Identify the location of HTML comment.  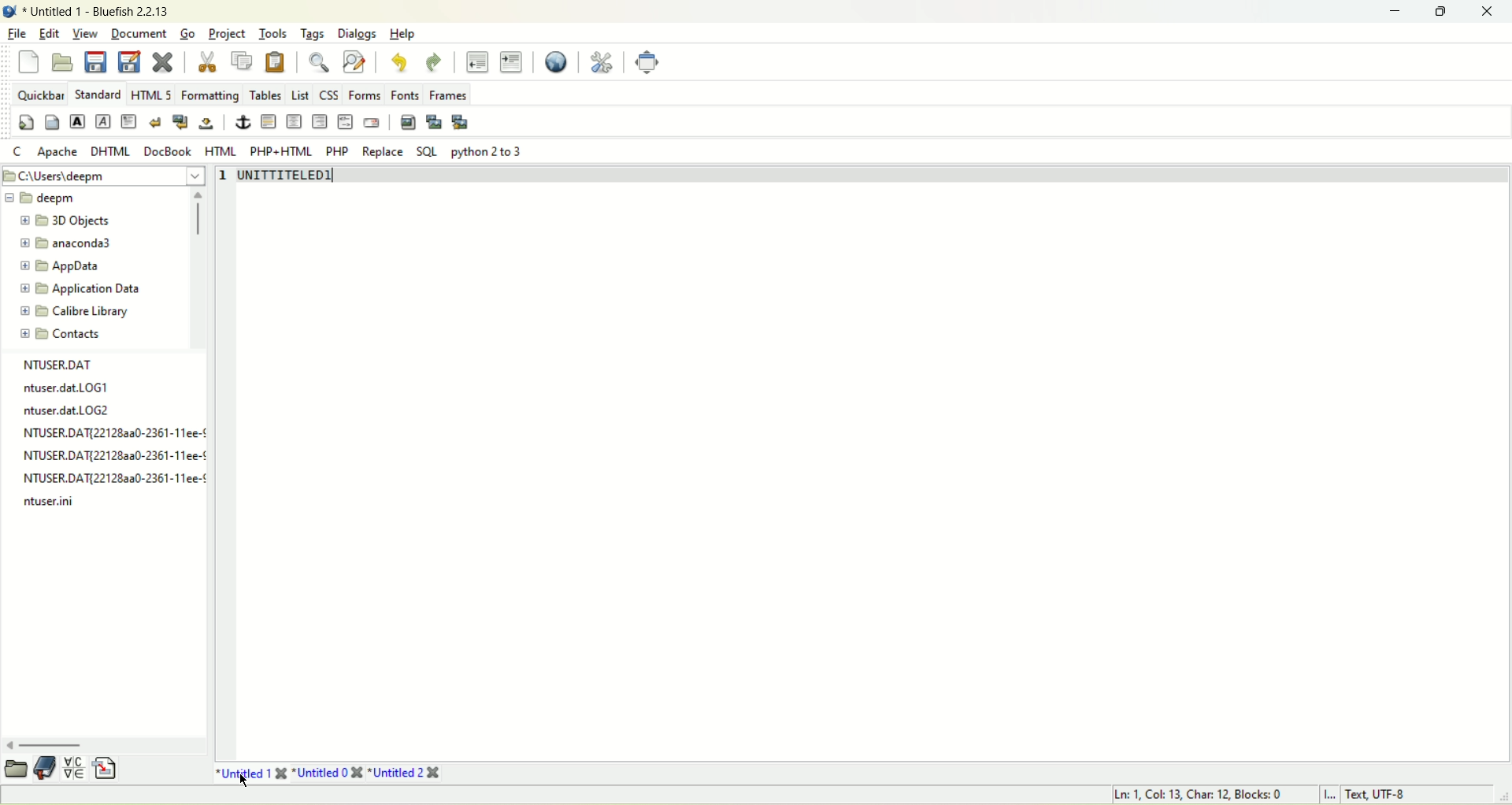
(343, 122).